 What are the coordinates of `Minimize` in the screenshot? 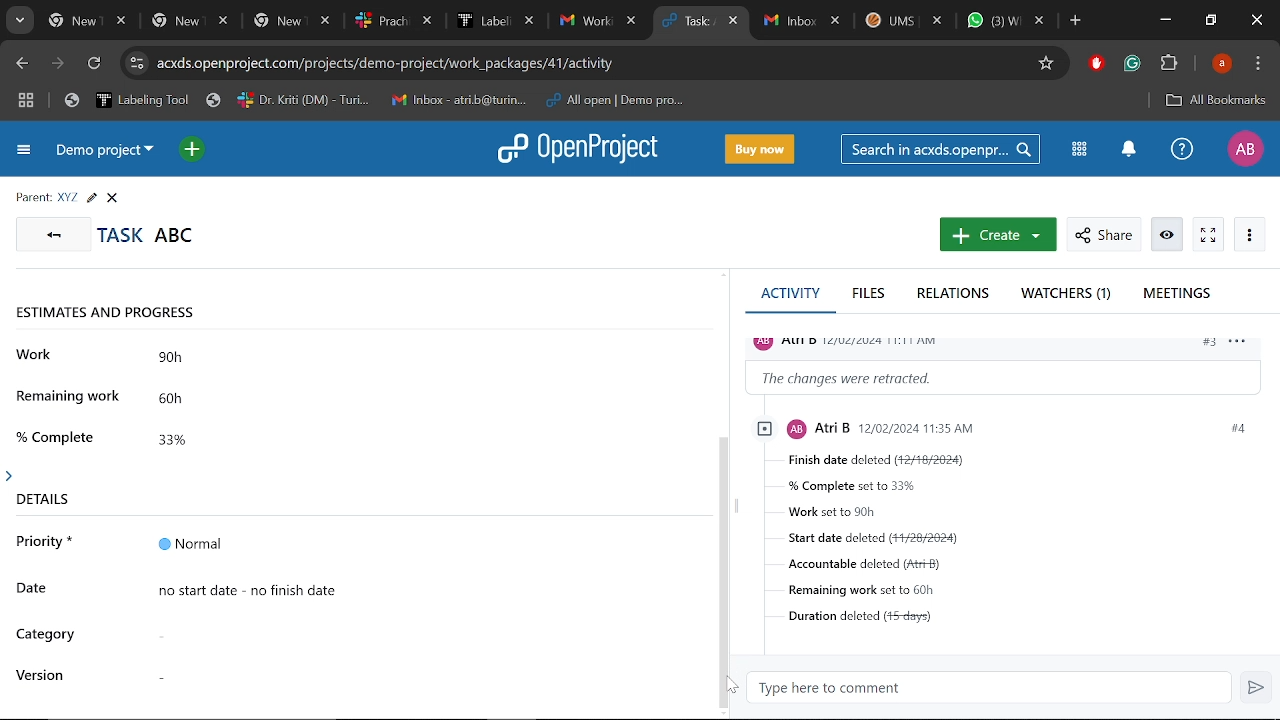 It's located at (1165, 19).